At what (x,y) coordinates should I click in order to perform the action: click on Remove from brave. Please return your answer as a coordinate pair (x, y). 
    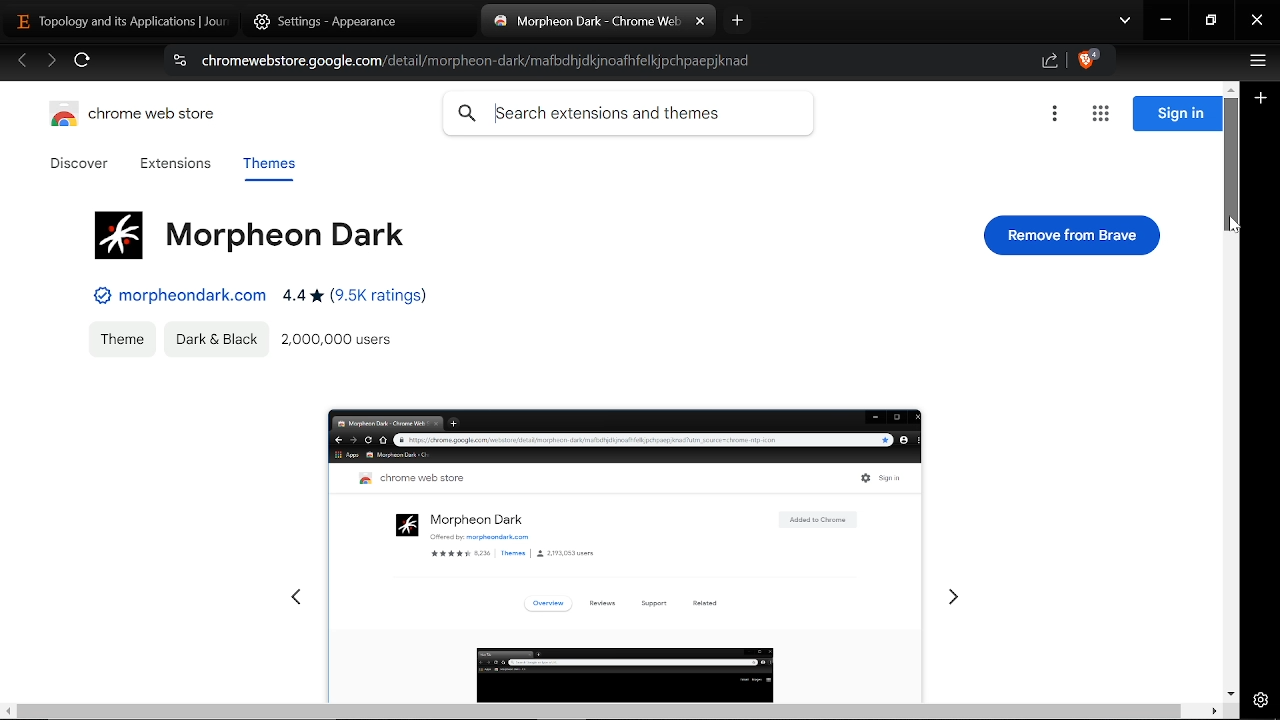
    Looking at the image, I should click on (1073, 235).